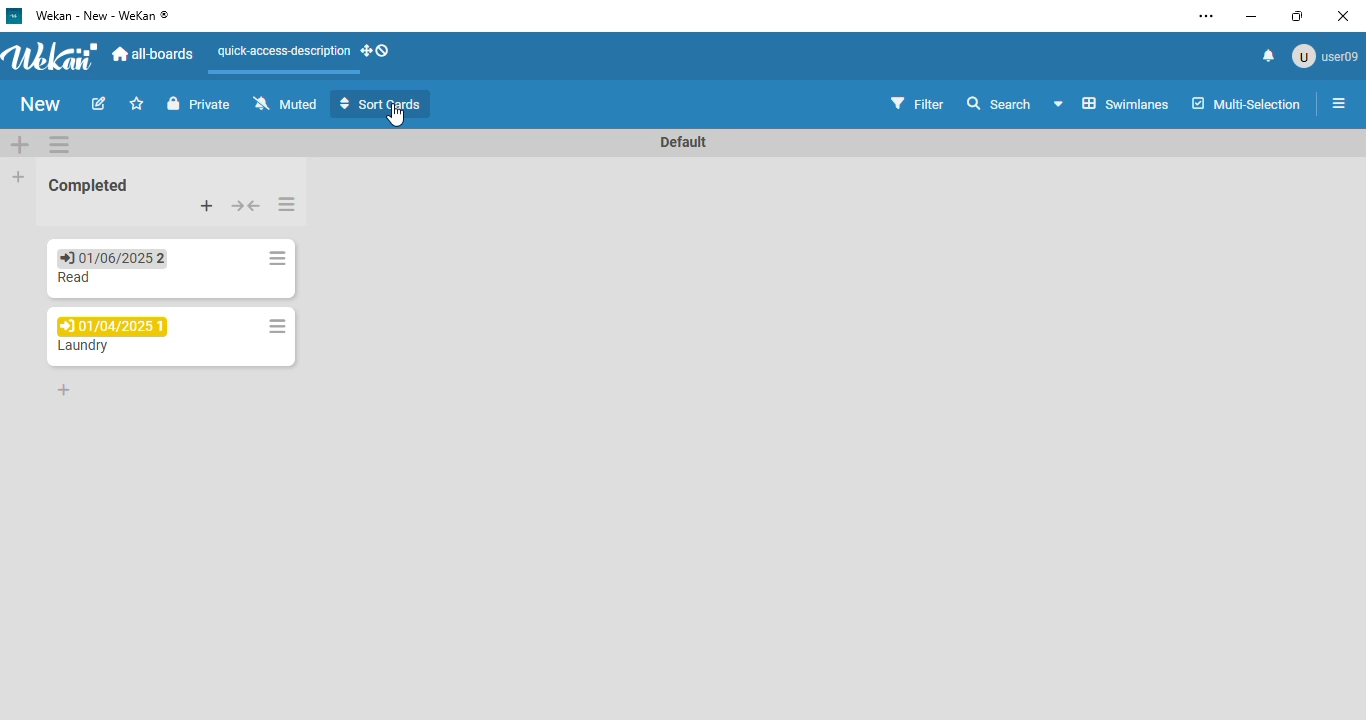 Image resolution: width=1366 pixels, height=720 pixels. I want to click on filter, so click(918, 102).